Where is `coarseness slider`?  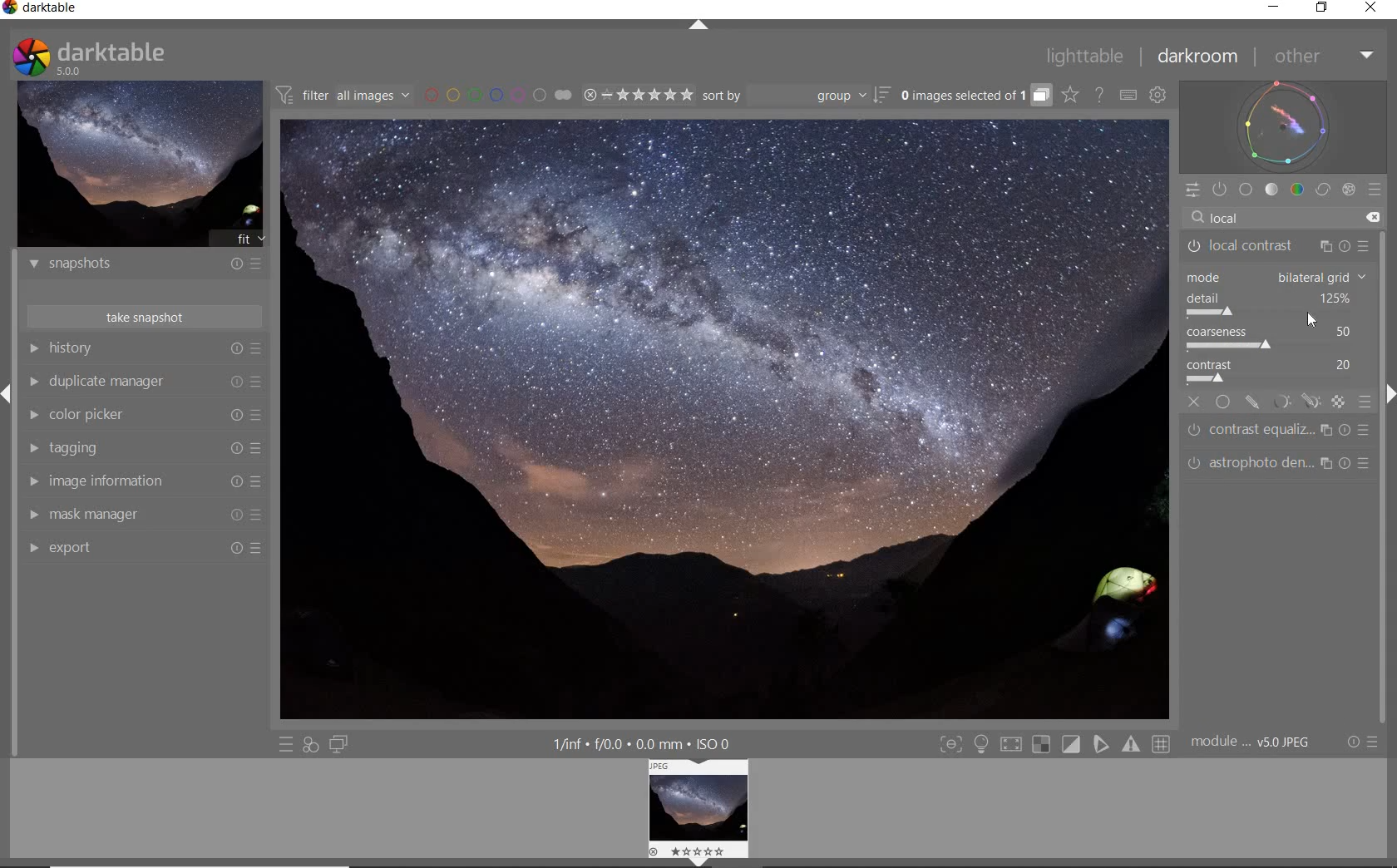 coarseness slider is located at coordinates (1235, 346).